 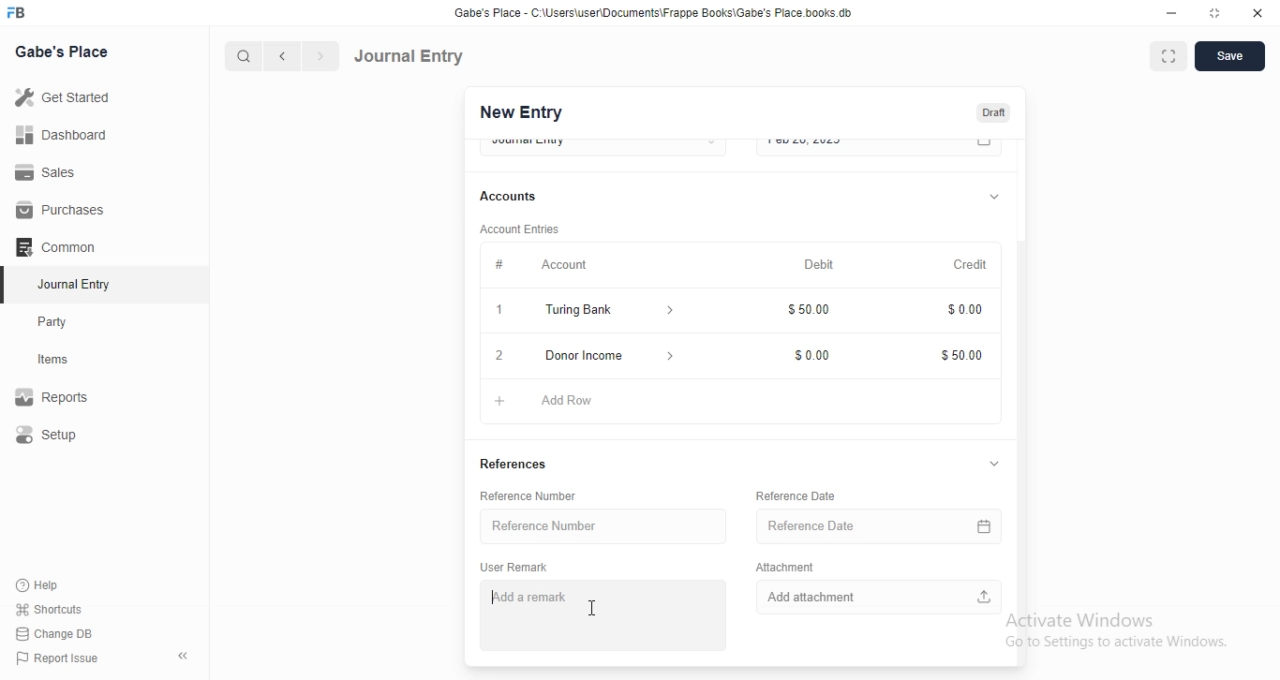 I want to click on $000, so click(x=814, y=351).